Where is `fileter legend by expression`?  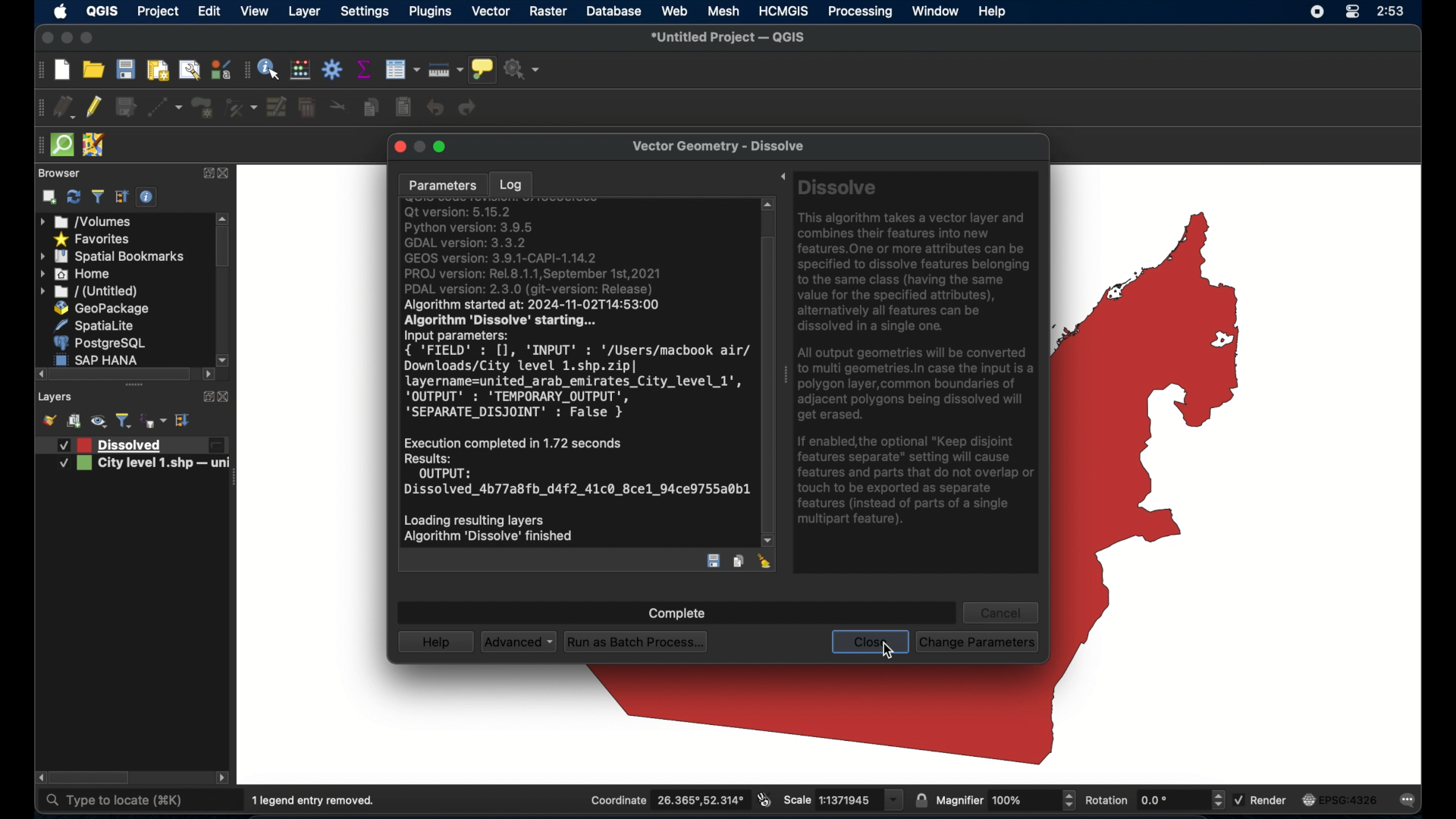 fileter legend by expression is located at coordinates (155, 422).